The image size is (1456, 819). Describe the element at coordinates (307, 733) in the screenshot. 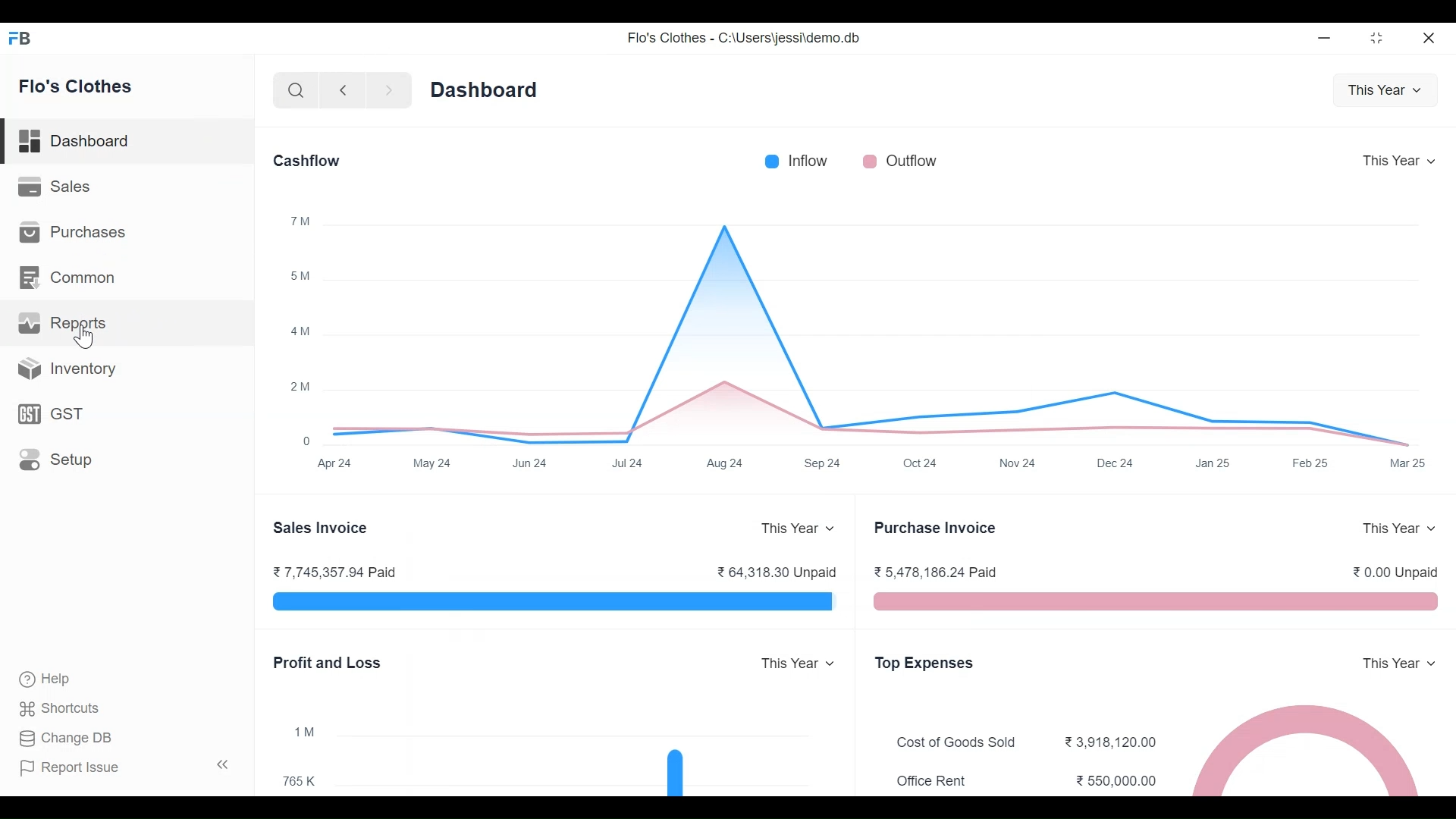

I see `1M` at that location.